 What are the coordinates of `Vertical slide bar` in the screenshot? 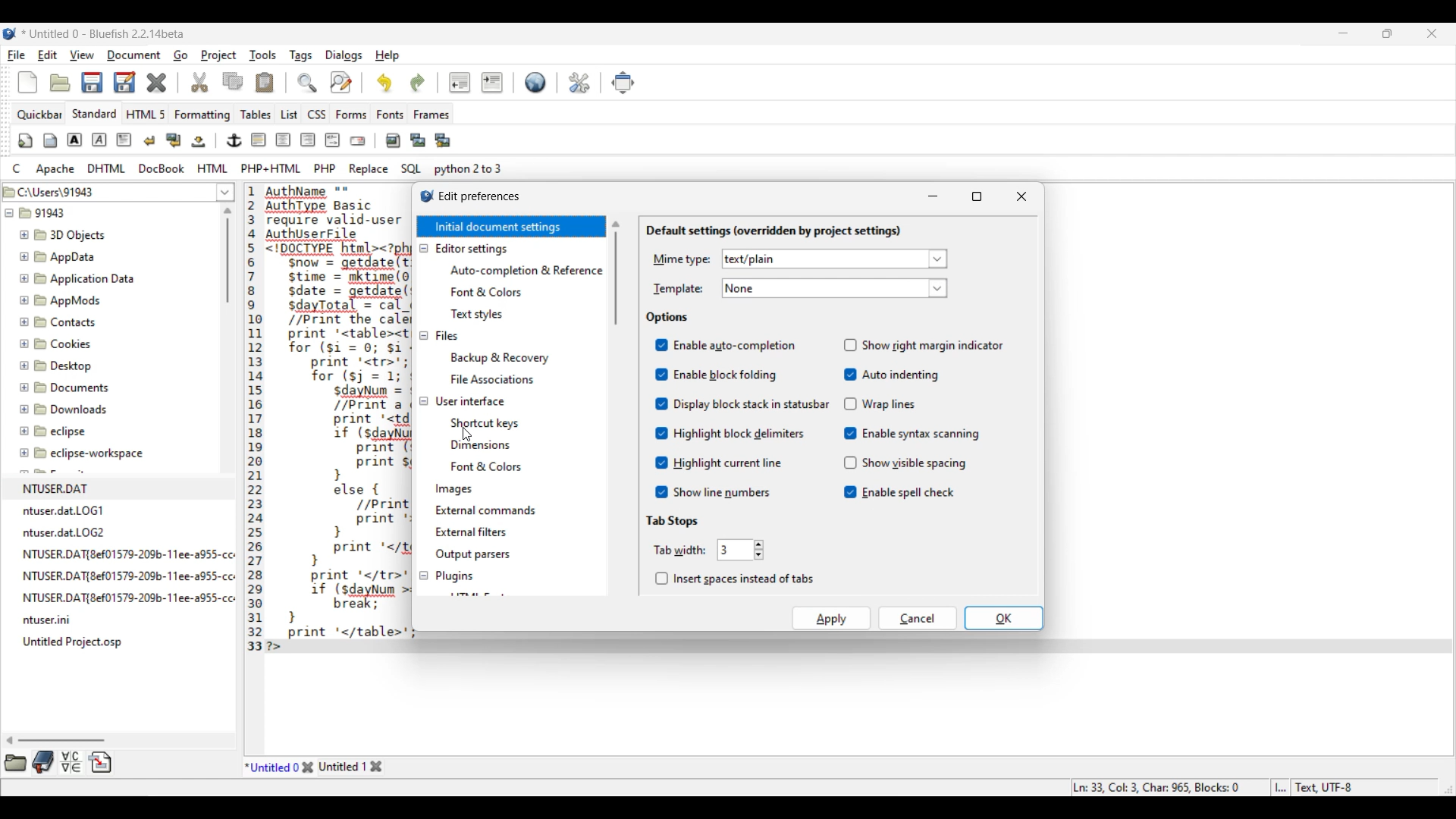 It's located at (227, 255).